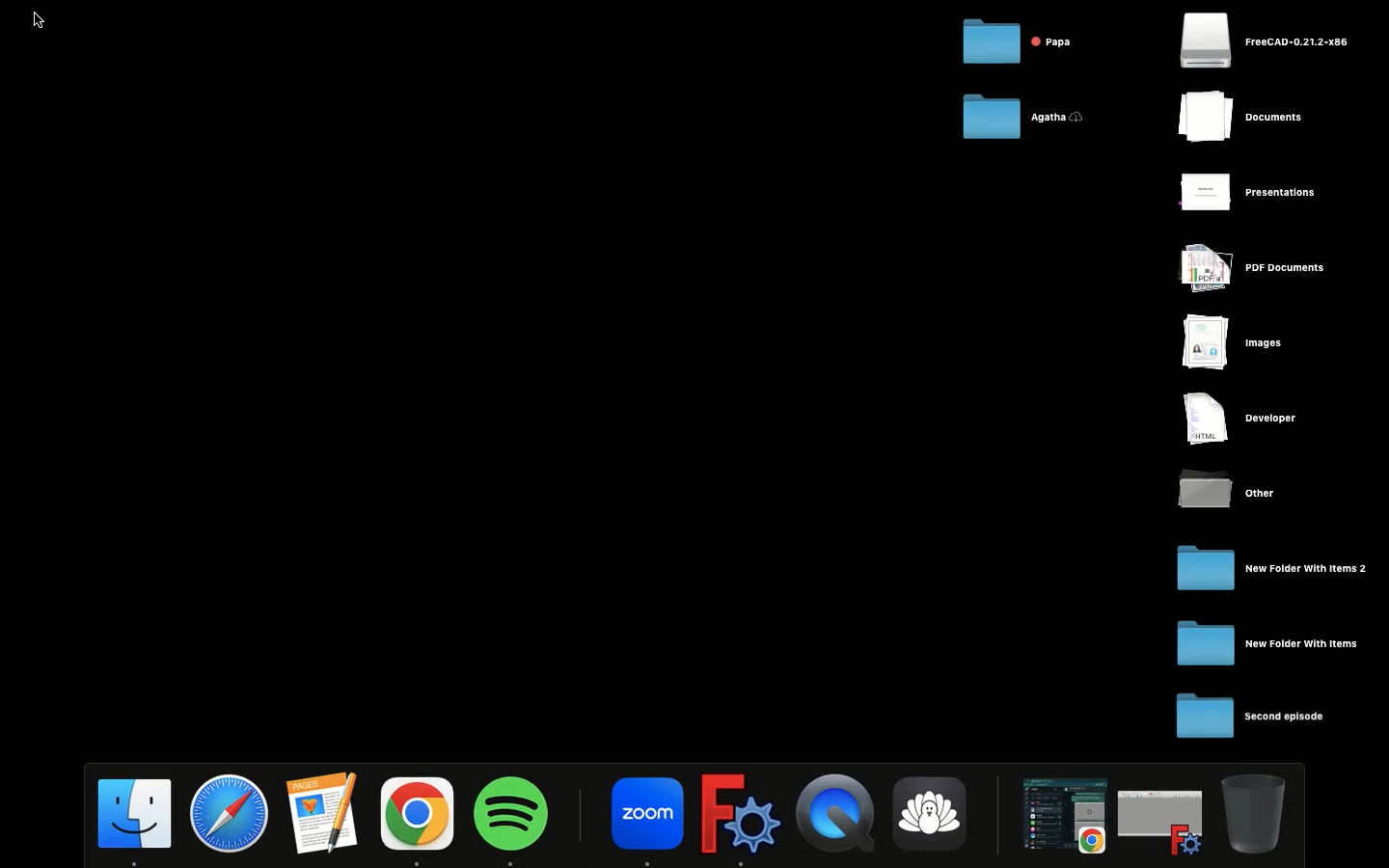  Describe the element at coordinates (40, 22) in the screenshot. I see `Cursor` at that location.